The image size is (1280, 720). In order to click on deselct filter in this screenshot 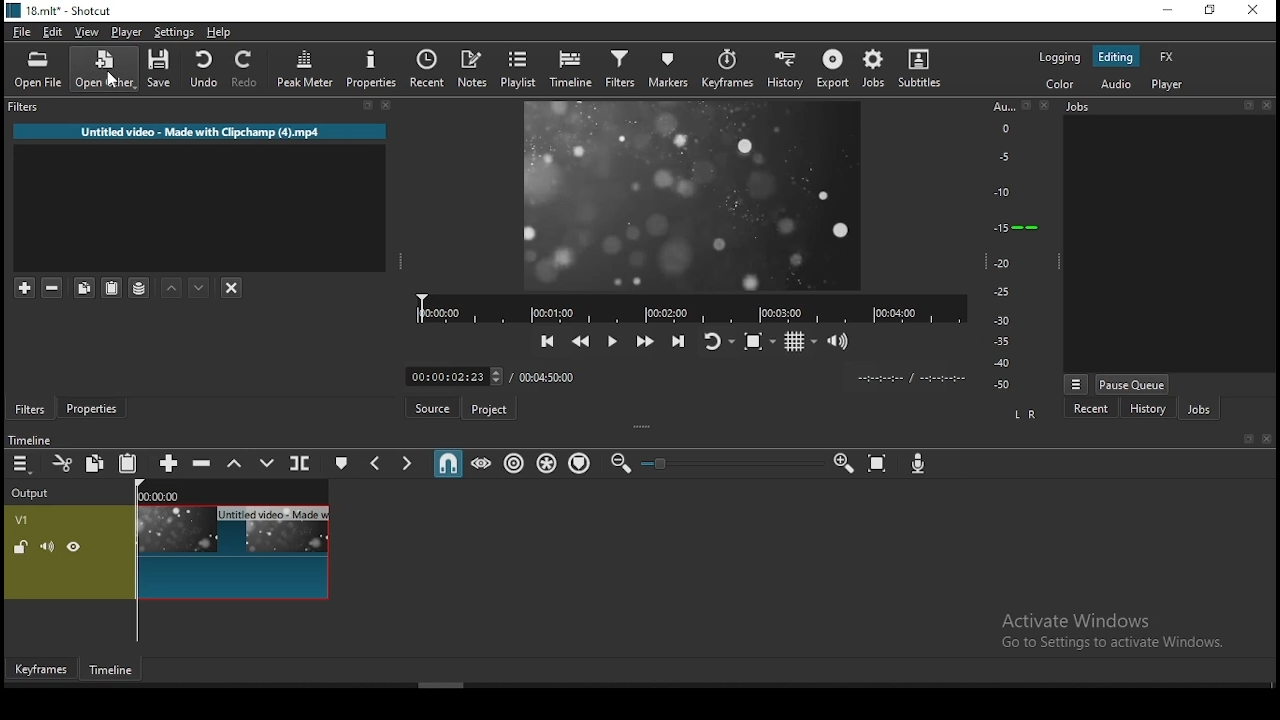, I will do `click(231, 286)`.